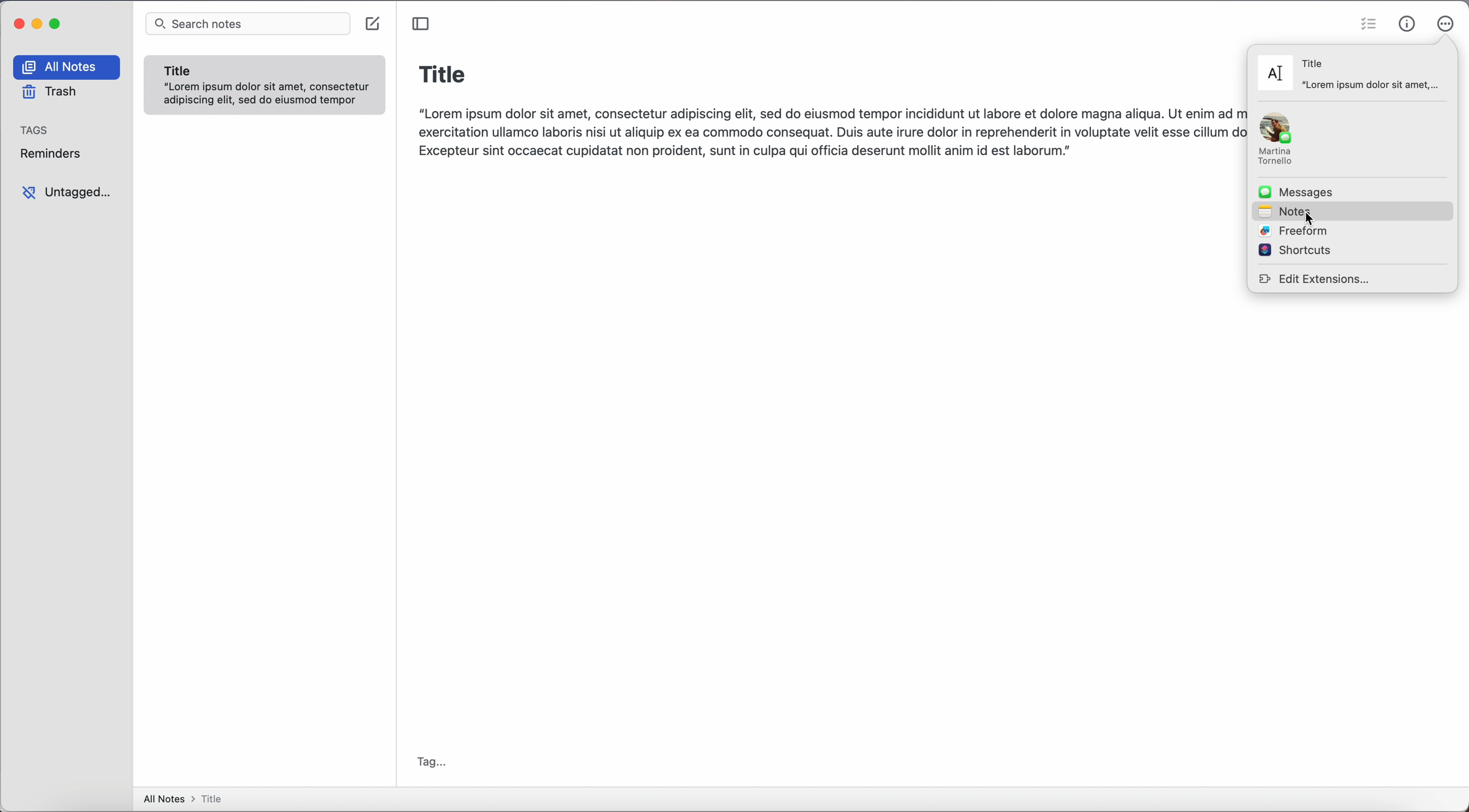 The image size is (1469, 812). I want to click on untagged, so click(67, 193).